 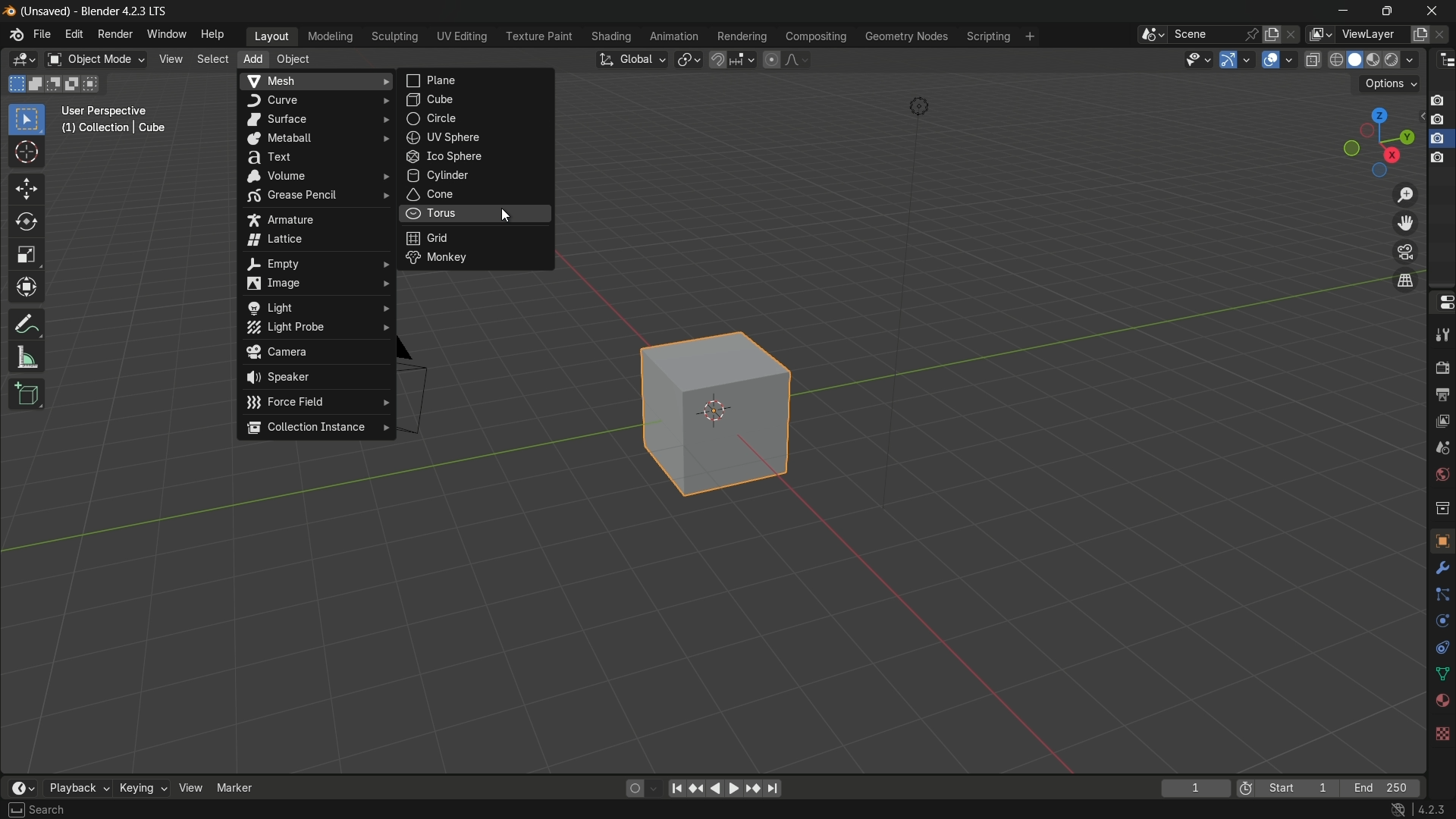 What do you see at coordinates (1436, 11) in the screenshot?
I see `close app` at bounding box center [1436, 11].